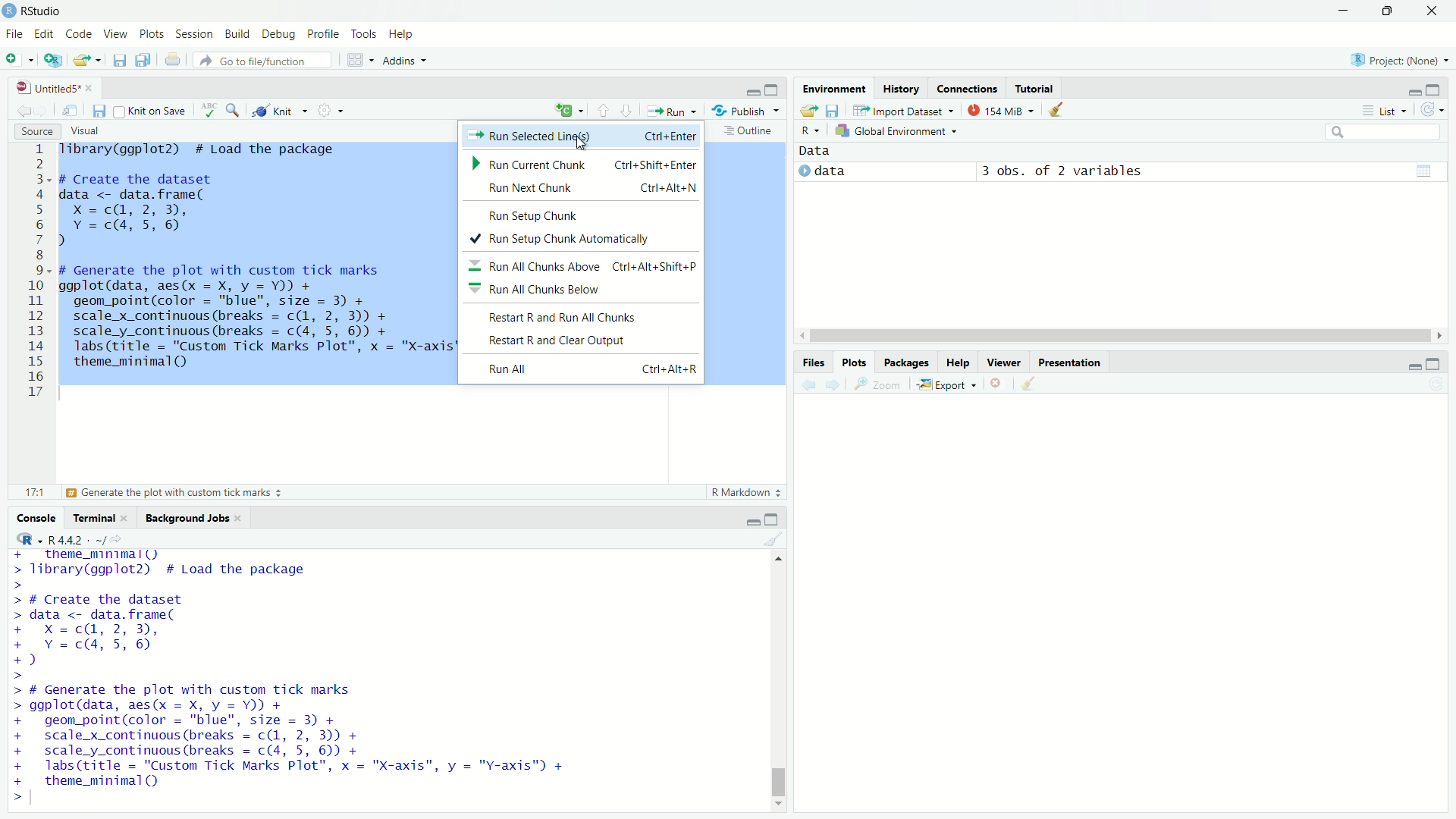 The height and width of the screenshot is (819, 1456). What do you see at coordinates (780, 563) in the screenshot?
I see `move up` at bounding box center [780, 563].